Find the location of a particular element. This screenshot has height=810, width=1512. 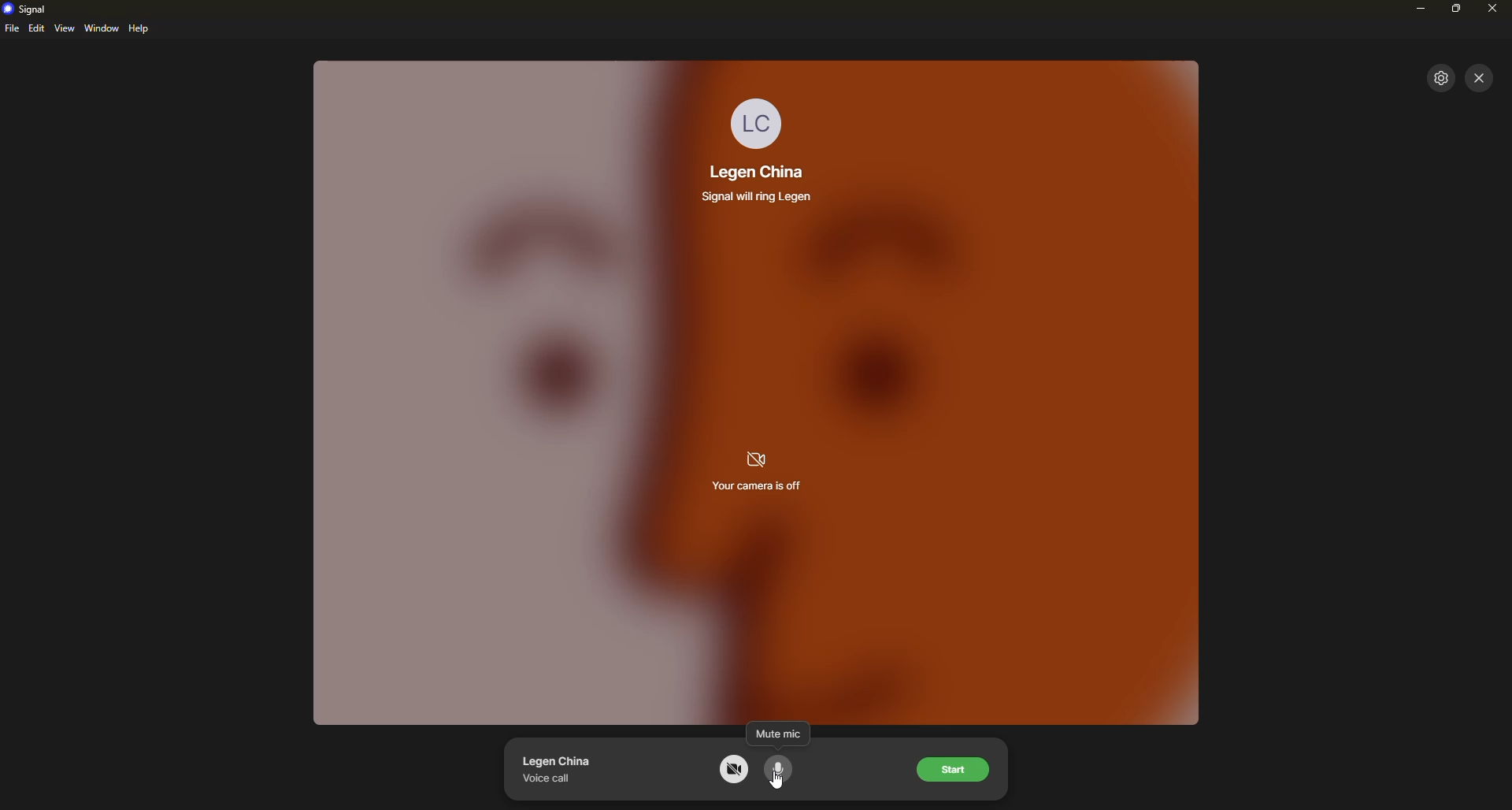

signal is located at coordinates (31, 9).